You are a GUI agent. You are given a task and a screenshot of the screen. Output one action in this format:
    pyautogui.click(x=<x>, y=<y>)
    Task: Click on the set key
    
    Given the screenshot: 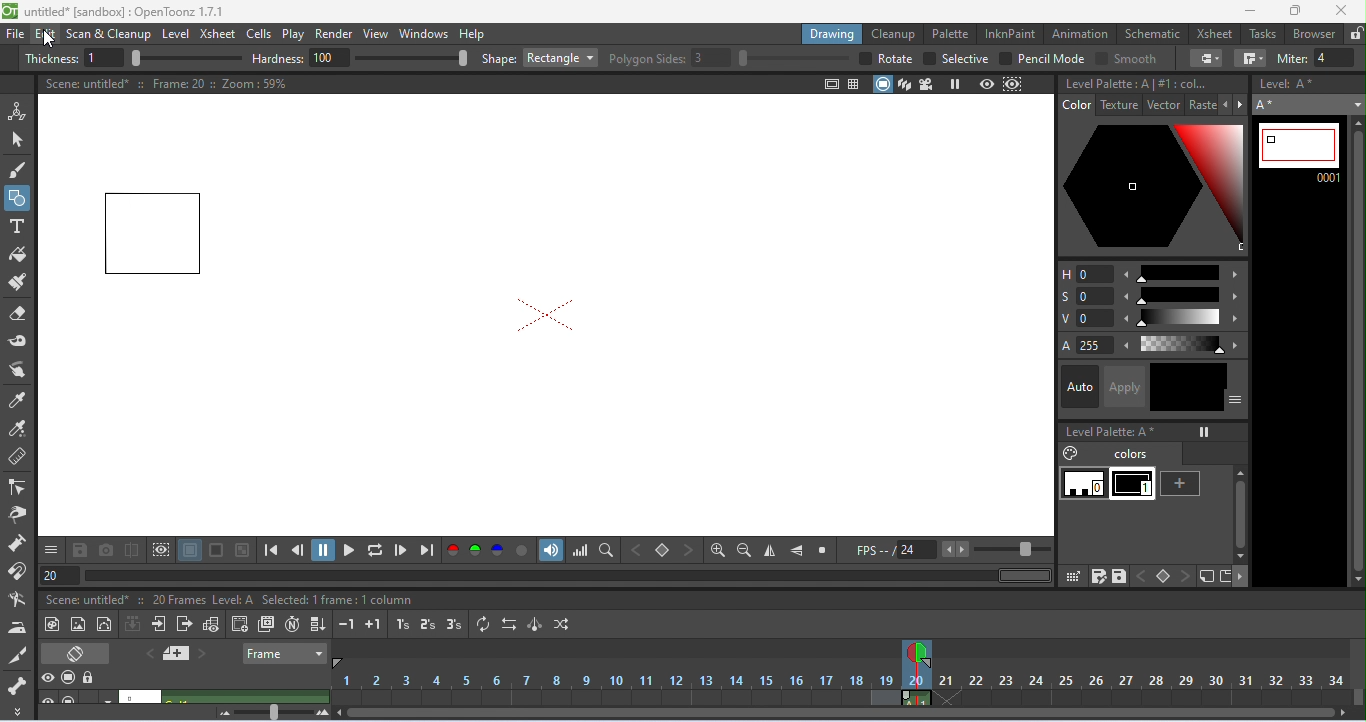 What is the action you would take?
    pyautogui.click(x=661, y=550)
    